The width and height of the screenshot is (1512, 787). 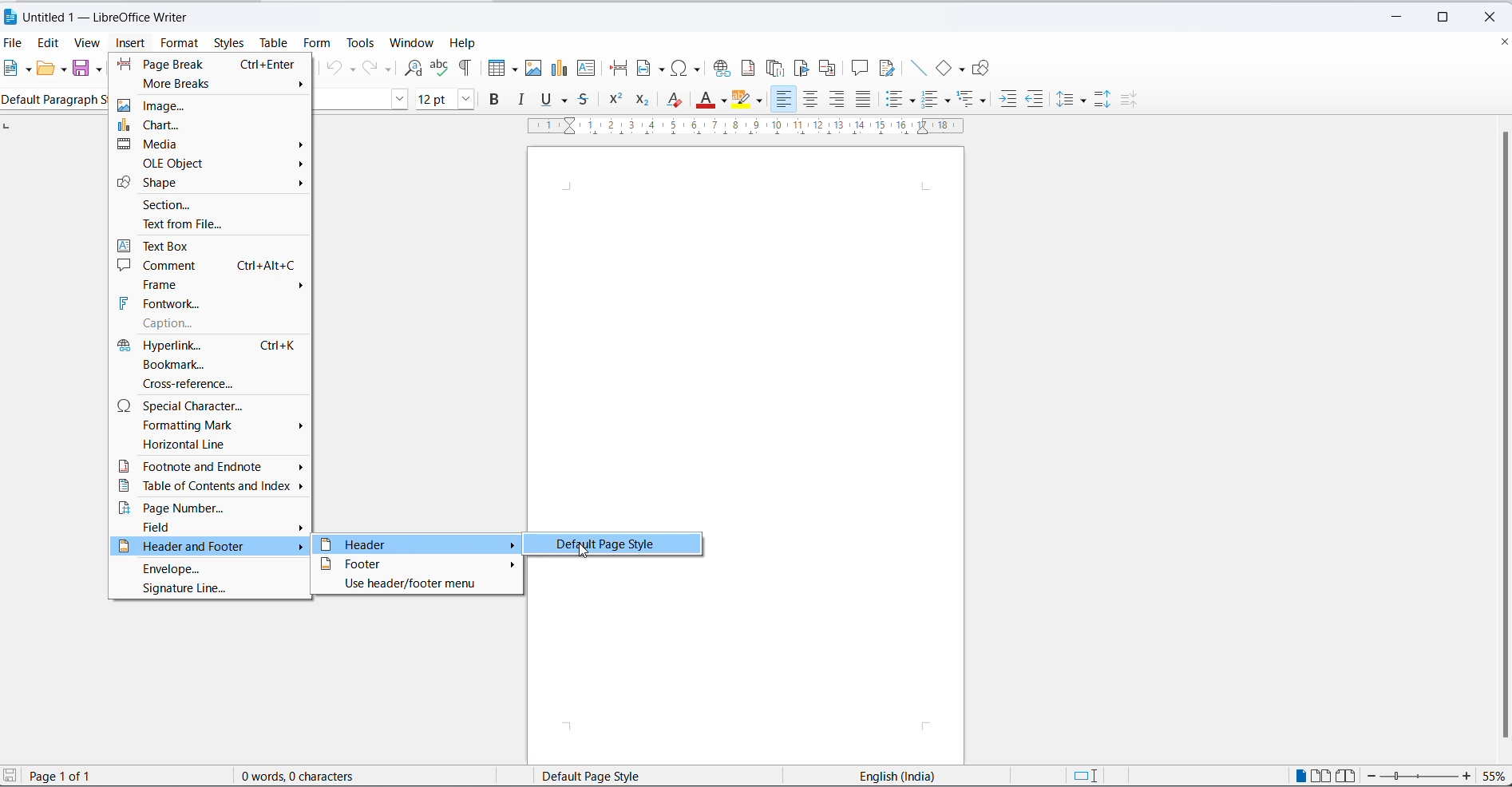 What do you see at coordinates (836, 99) in the screenshot?
I see `text align left` at bounding box center [836, 99].